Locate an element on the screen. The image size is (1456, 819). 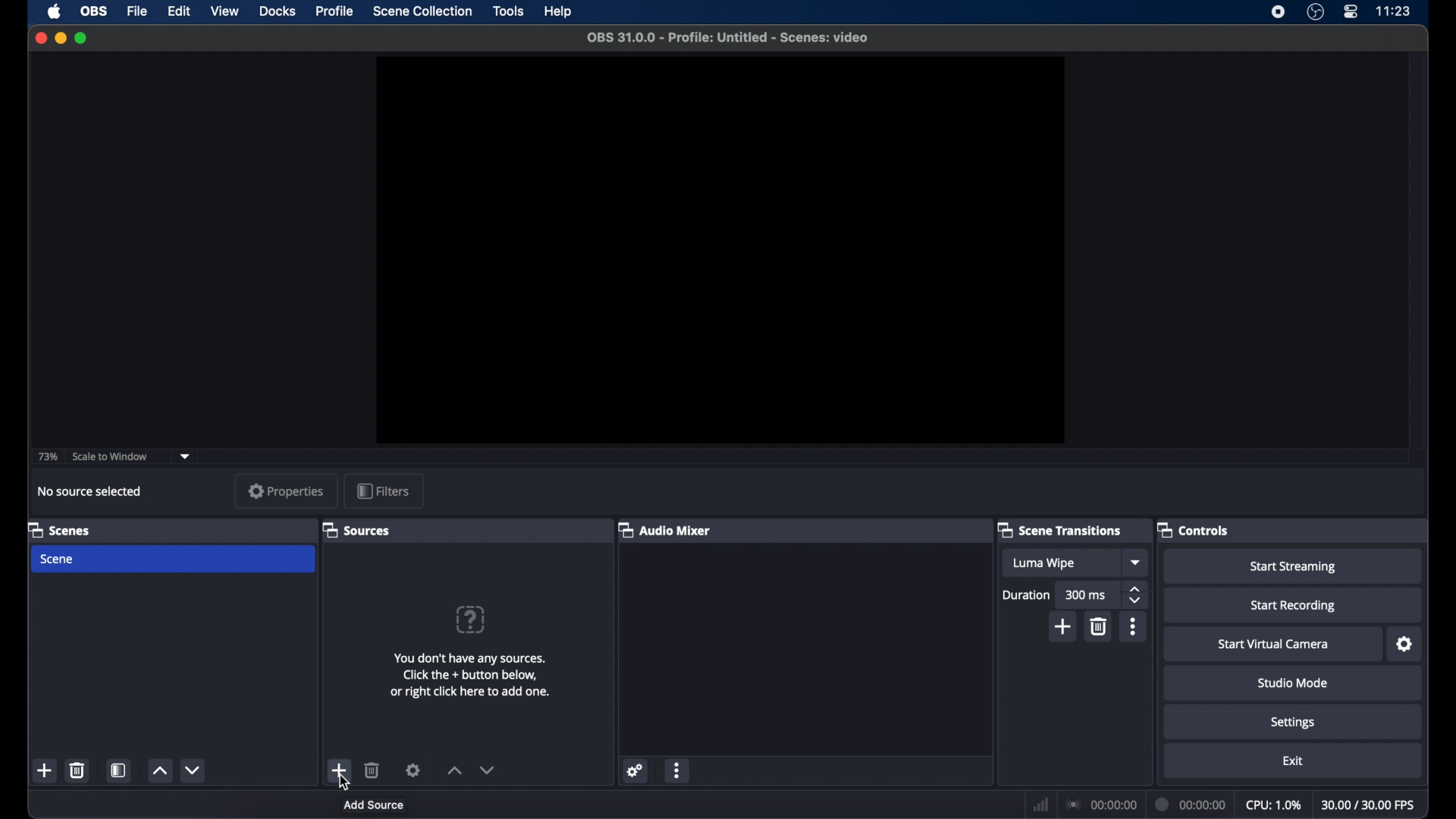
dropdown is located at coordinates (1137, 562).